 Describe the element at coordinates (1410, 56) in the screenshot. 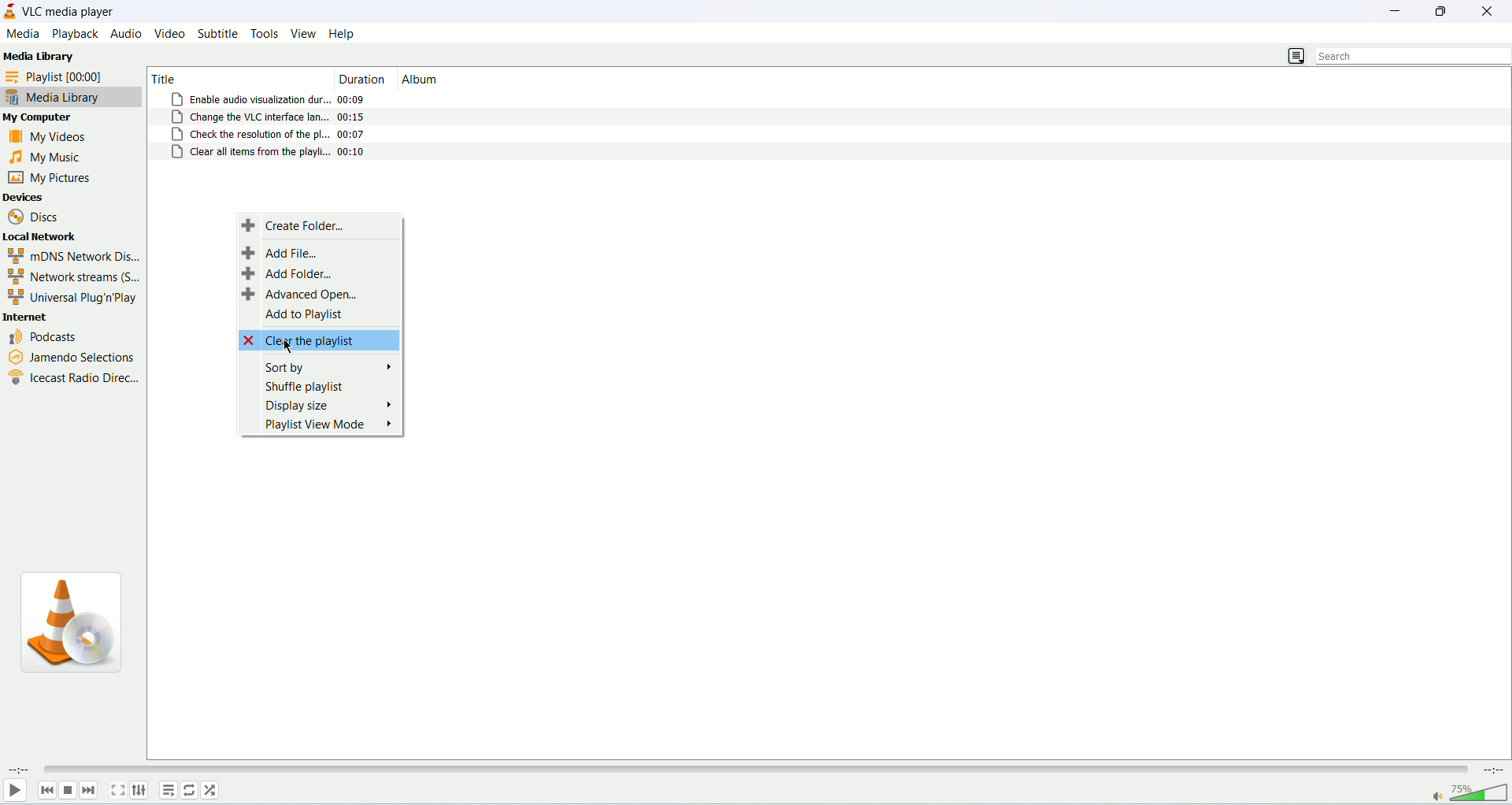

I see `search` at that location.